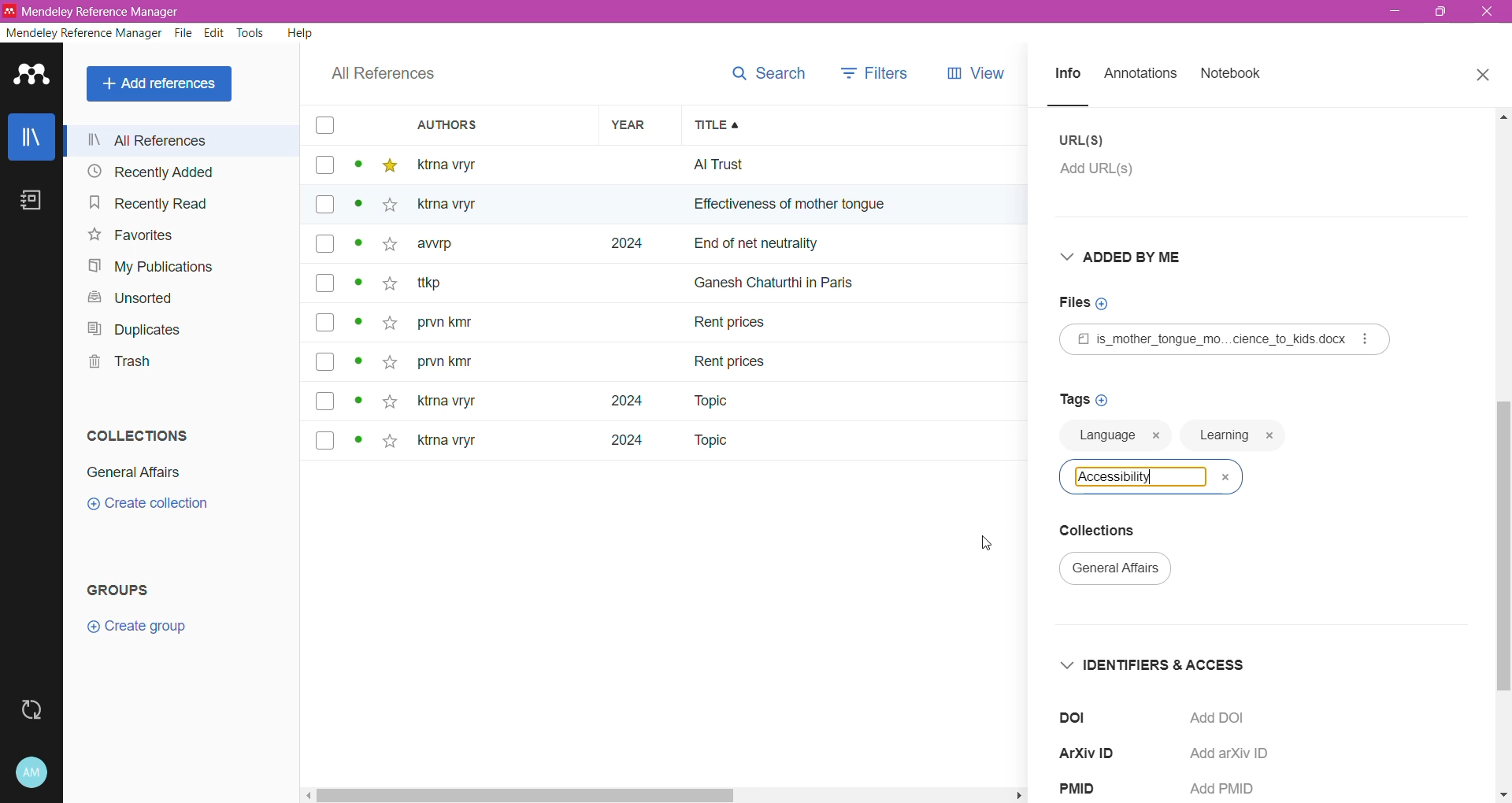  Describe the element at coordinates (732, 359) in the screenshot. I see `rent prices ` at that location.